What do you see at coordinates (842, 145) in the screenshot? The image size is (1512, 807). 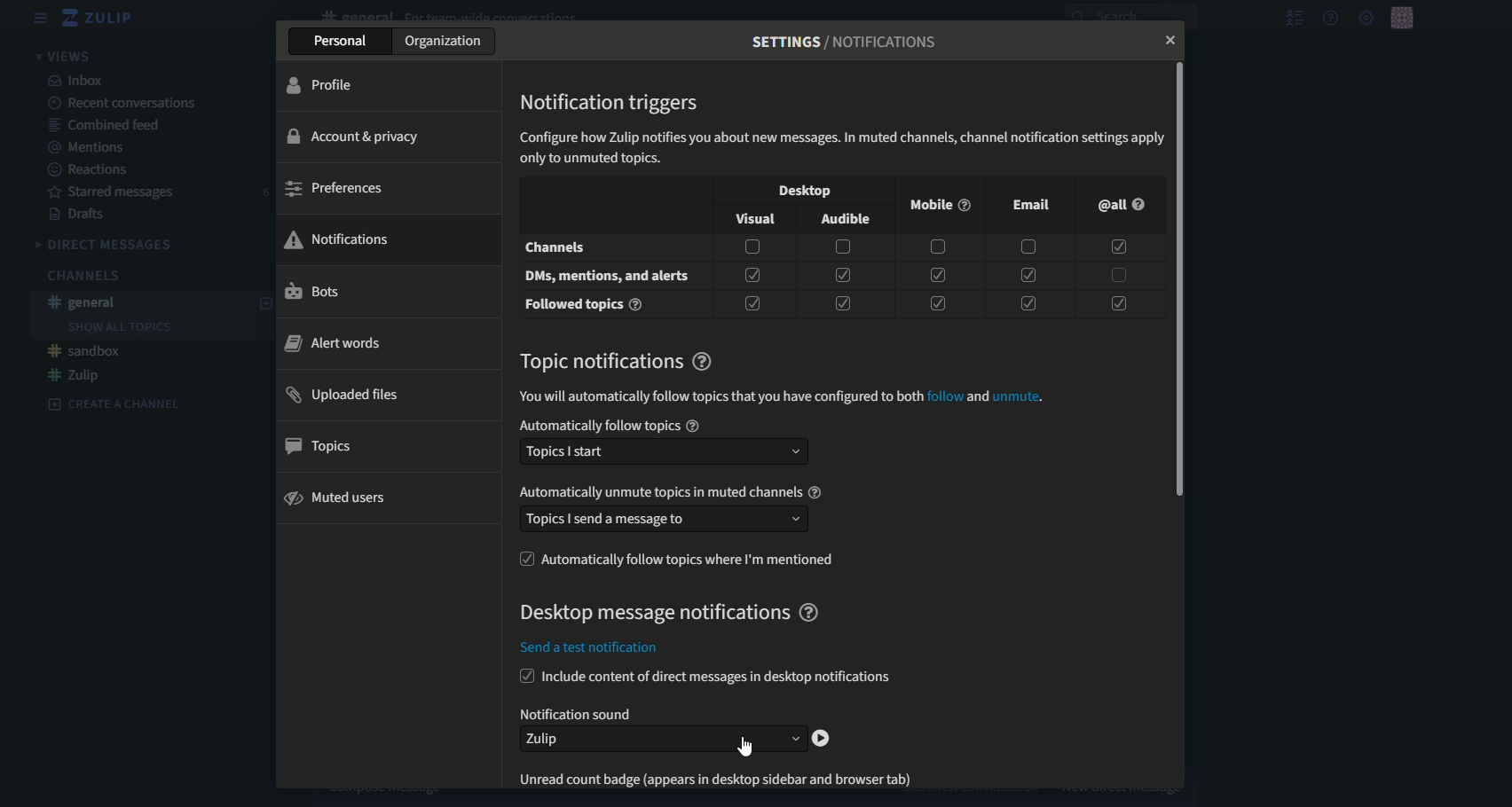 I see `text` at bounding box center [842, 145].